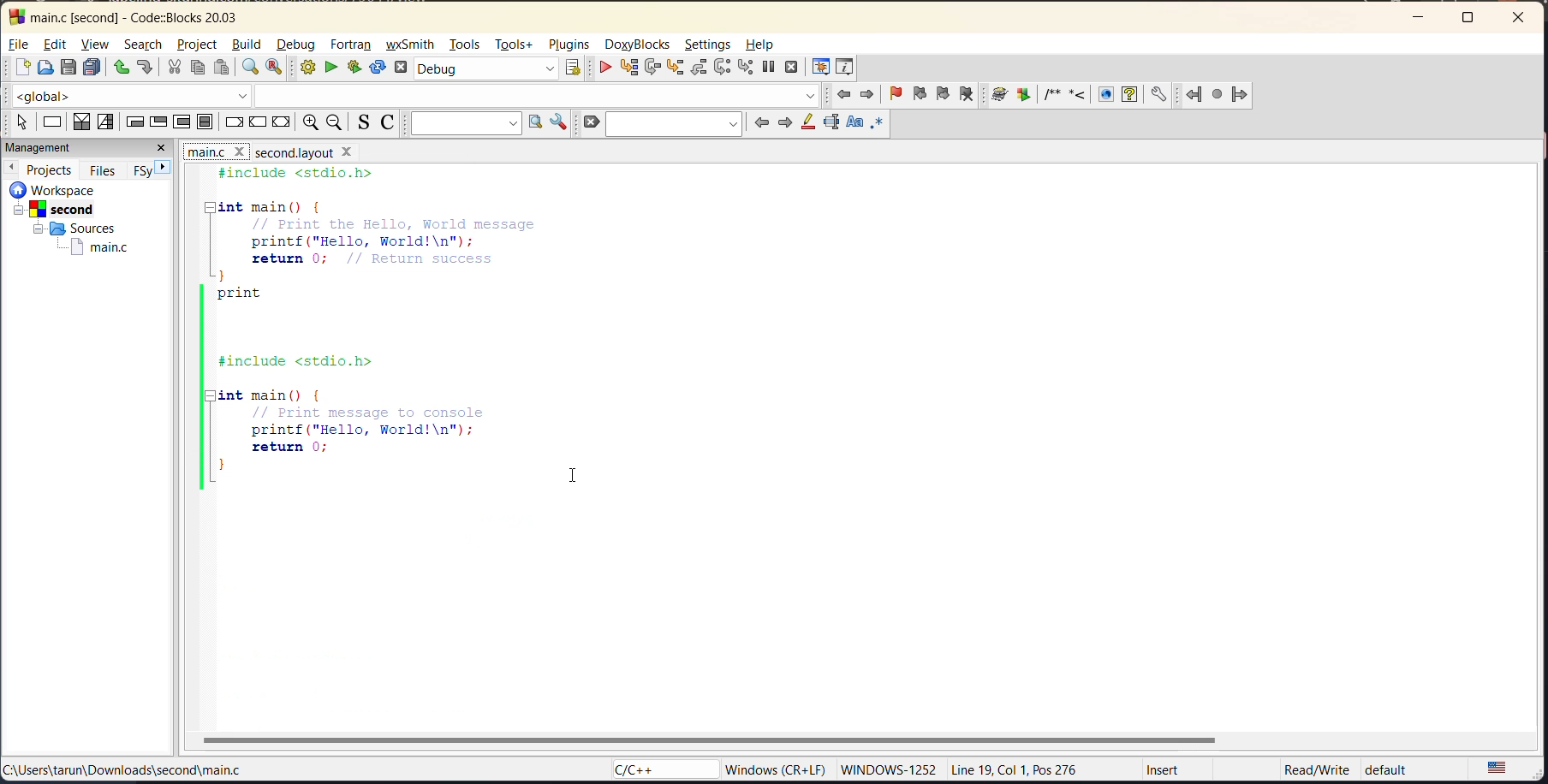 This screenshot has height=784, width=1548. I want to click on search, so click(674, 124).